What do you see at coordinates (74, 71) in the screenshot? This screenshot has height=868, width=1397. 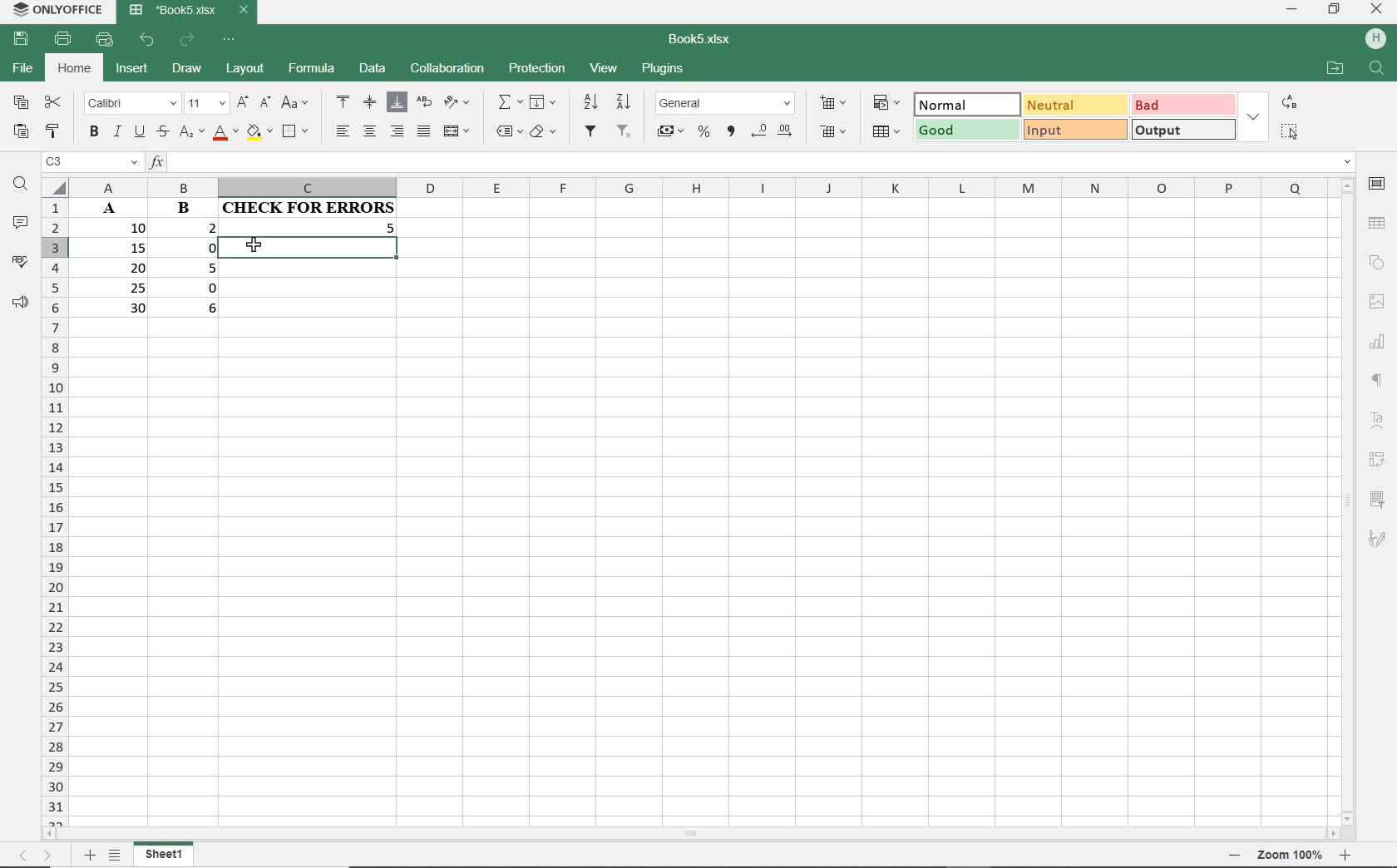 I see `HOME` at bounding box center [74, 71].